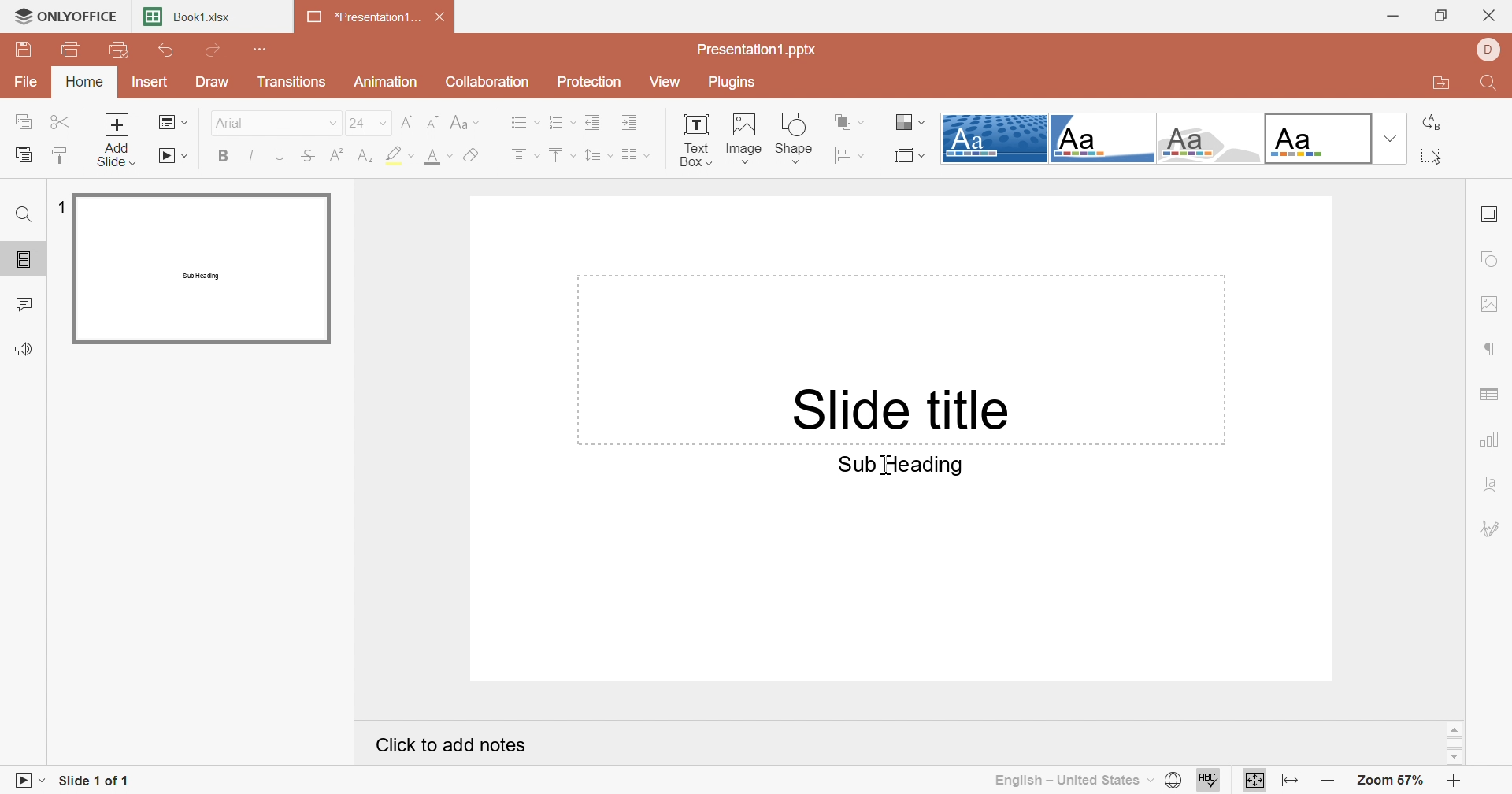 Image resolution: width=1512 pixels, height=794 pixels. What do you see at coordinates (399, 155) in the screenshot?
I see `Highlight color` at bounding box center [399, 155].